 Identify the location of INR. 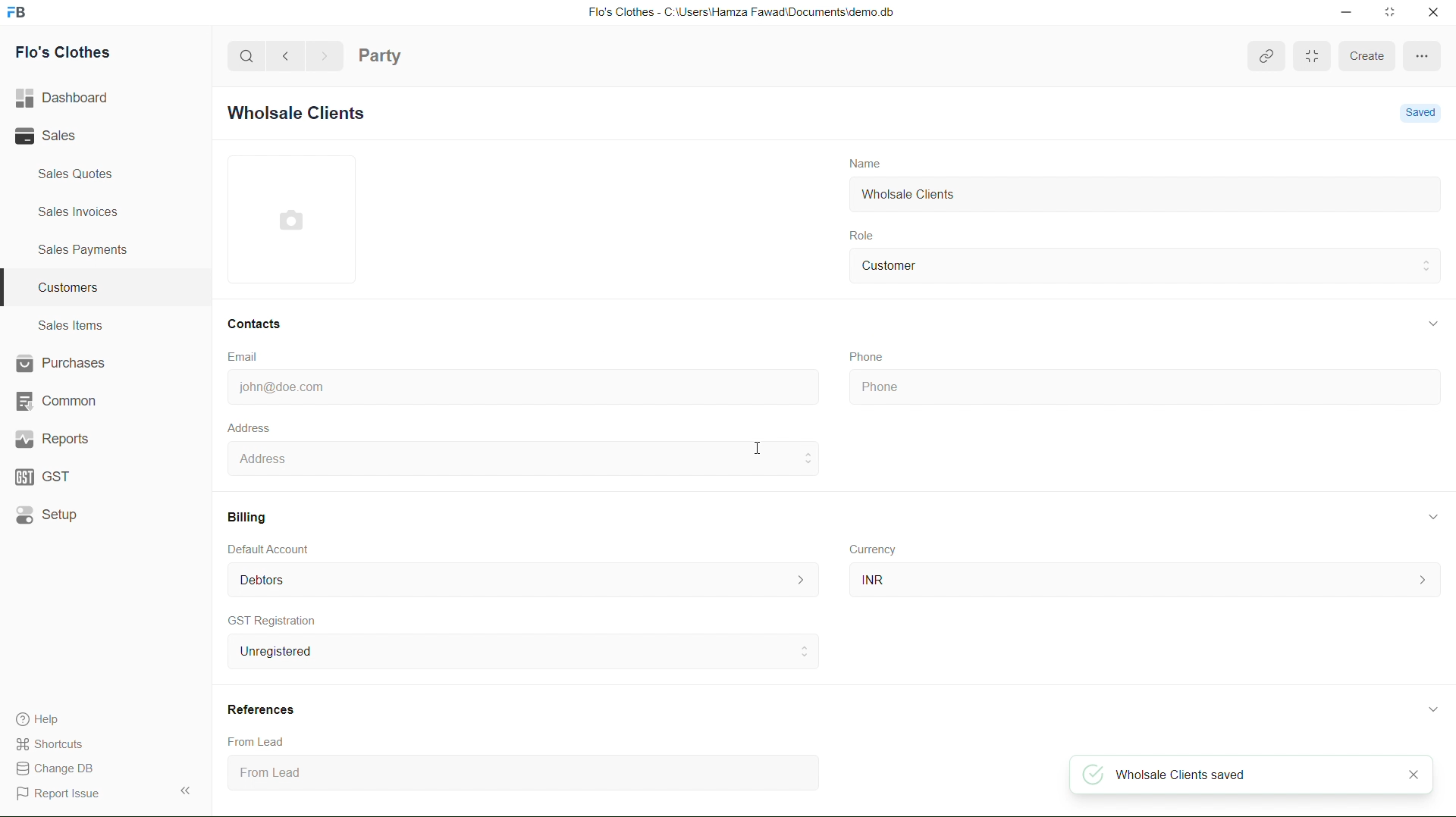
(1144, 579).